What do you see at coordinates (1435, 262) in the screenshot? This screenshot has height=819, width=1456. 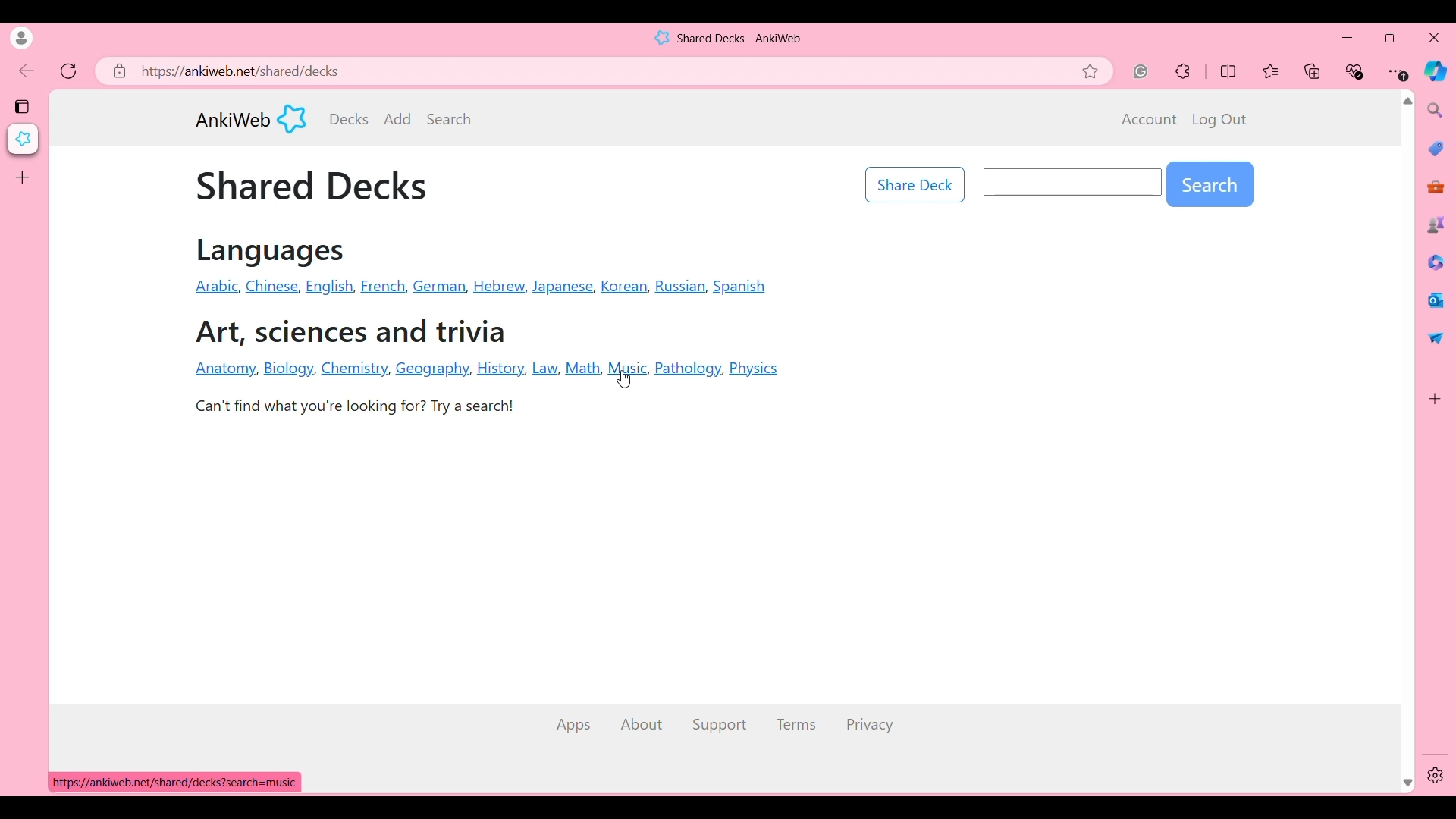 I see `Browser documents` at bounding box center [1435, 262].